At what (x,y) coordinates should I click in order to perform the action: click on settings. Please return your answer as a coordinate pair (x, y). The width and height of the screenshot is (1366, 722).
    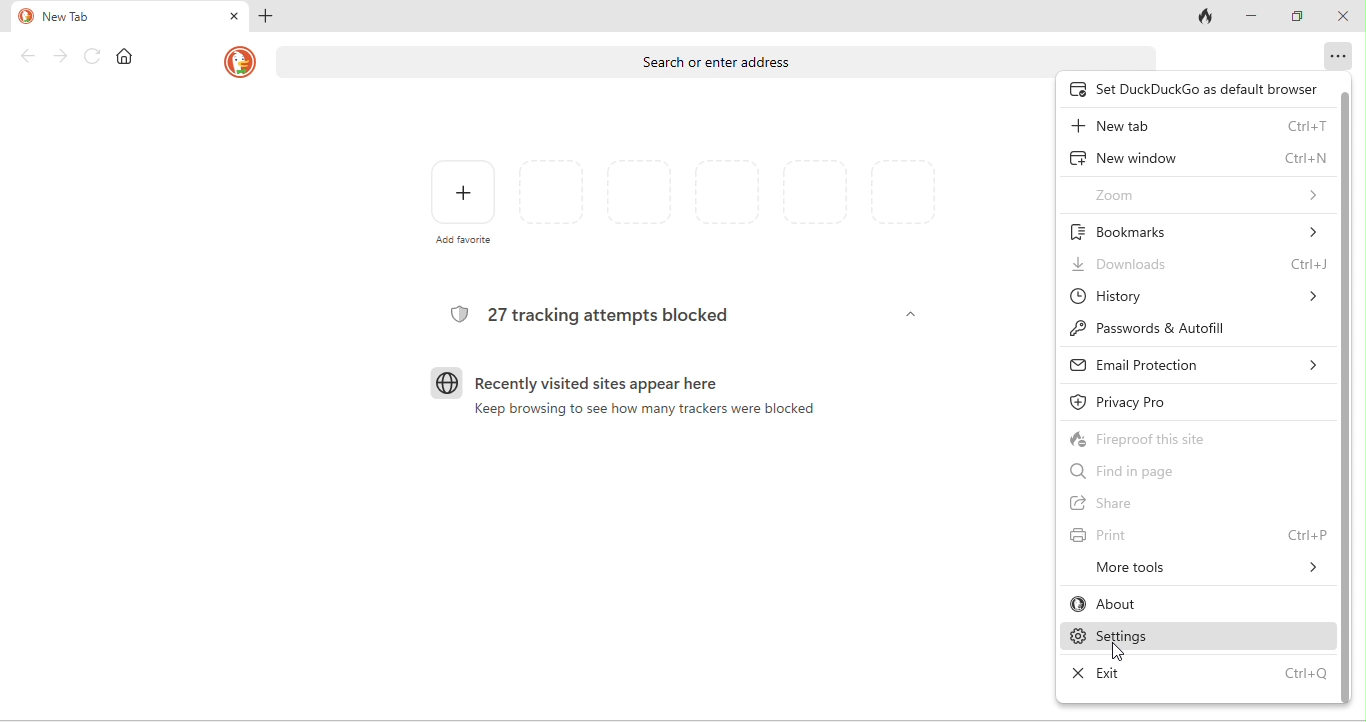
    Looking at the image, I should click on (1198, 638).